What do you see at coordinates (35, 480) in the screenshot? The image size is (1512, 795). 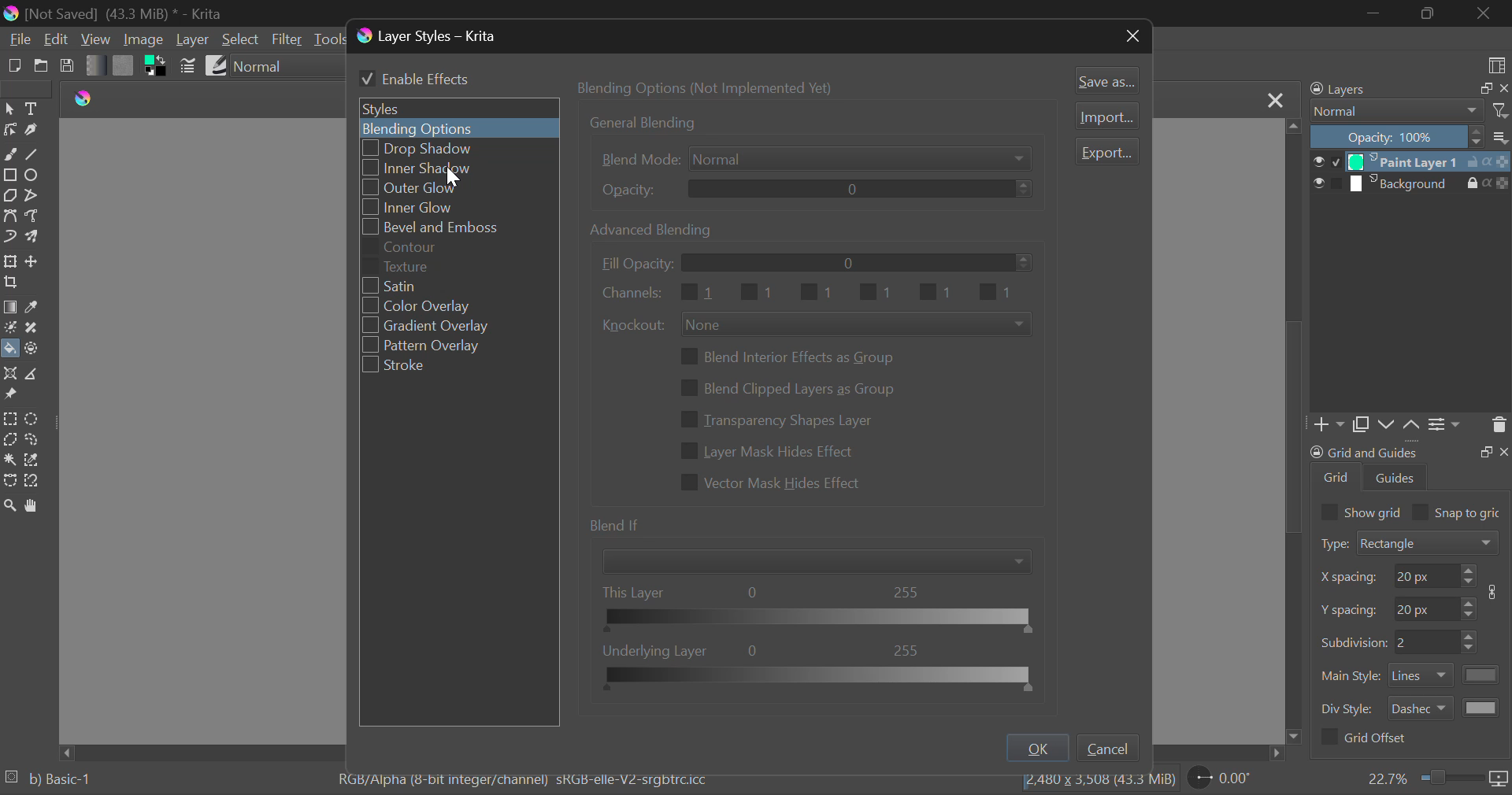 I see `Magnetic Selection` at bounding box center [35, 480].